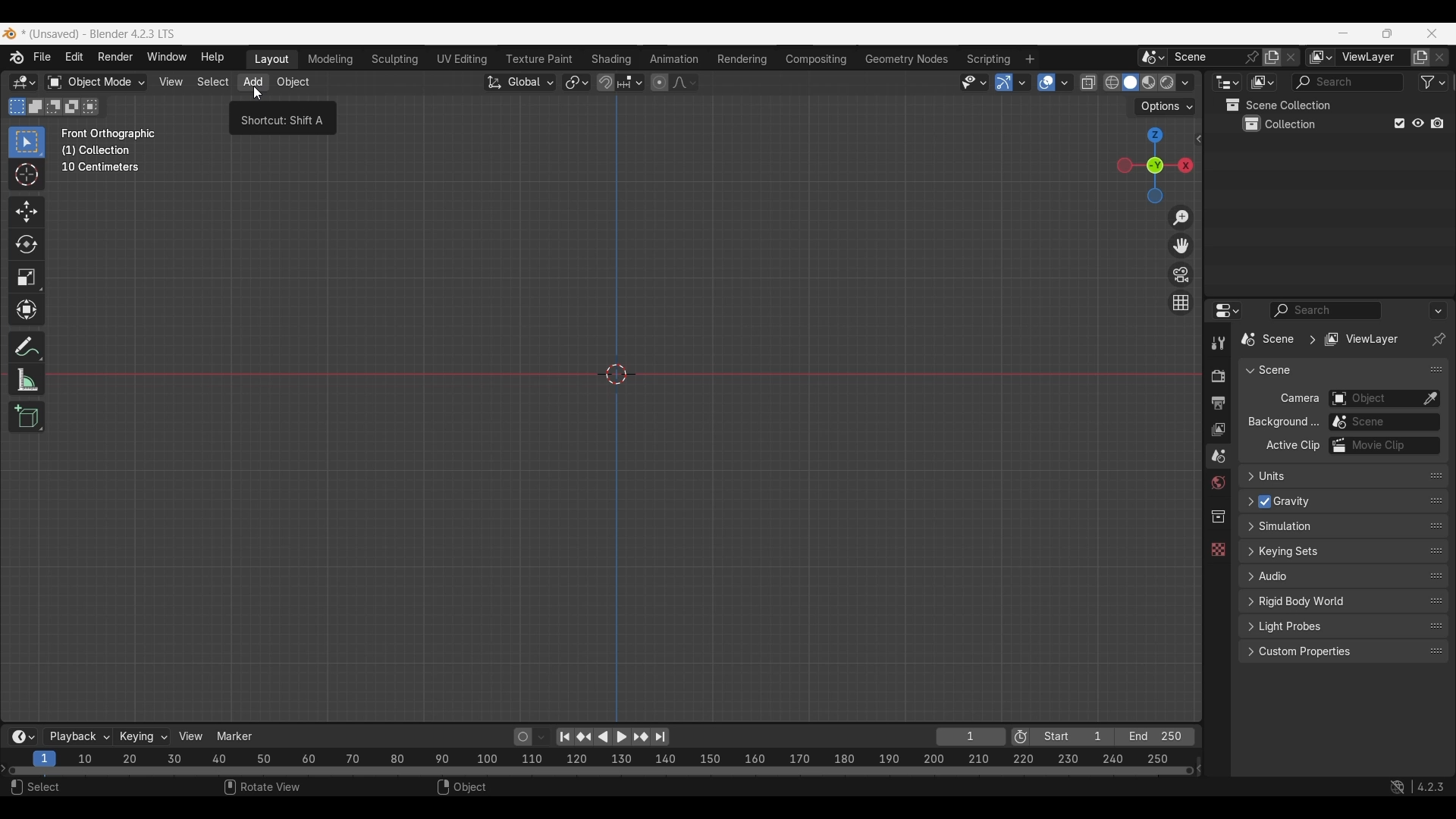 The width and height of the screenshot is (1456, 819). I want to click on Change order in the list, so click(1436, 526).